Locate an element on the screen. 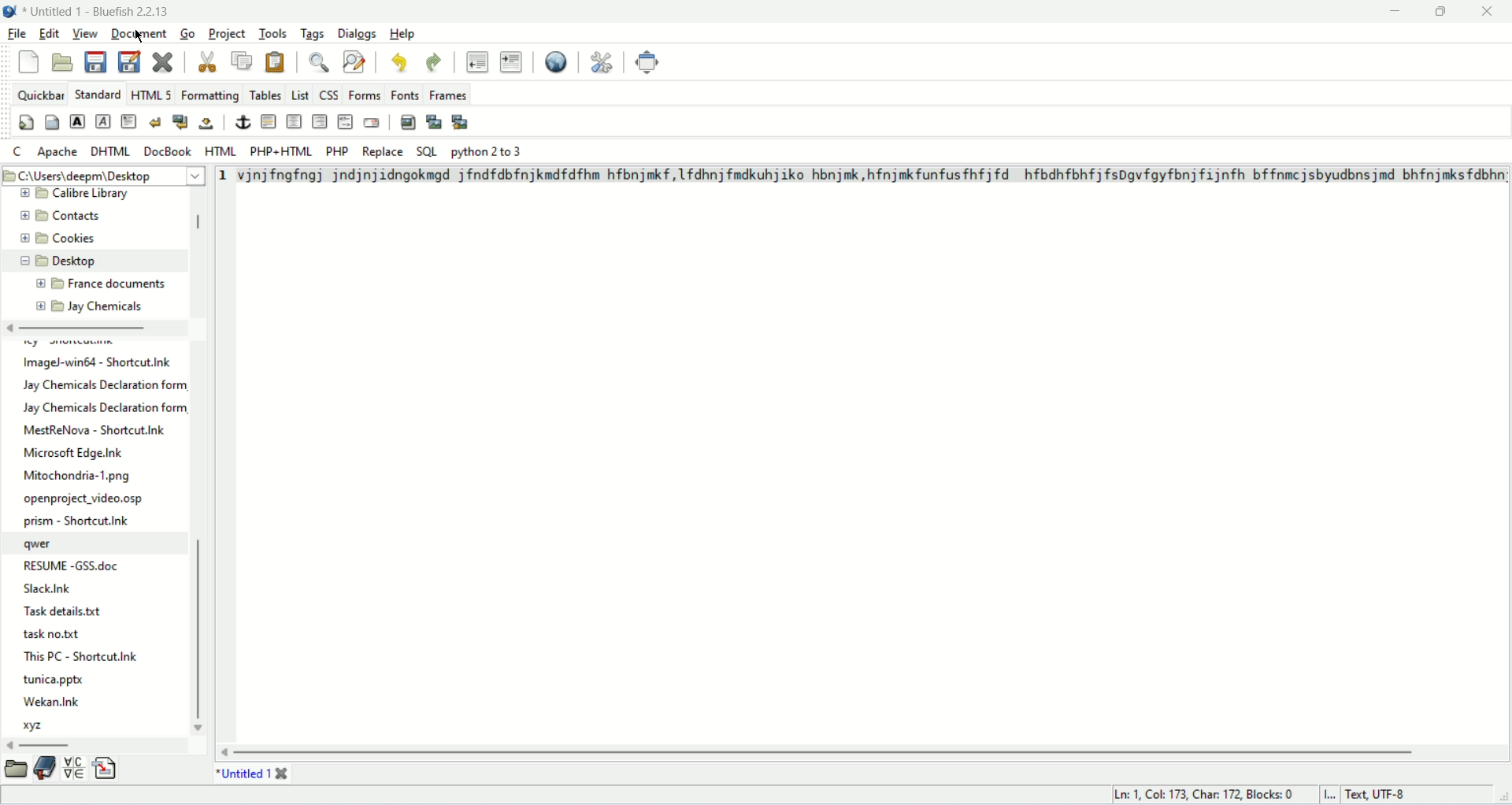 This screenshot has width=1512, height=805. tags is located at coordinates (313, 33).